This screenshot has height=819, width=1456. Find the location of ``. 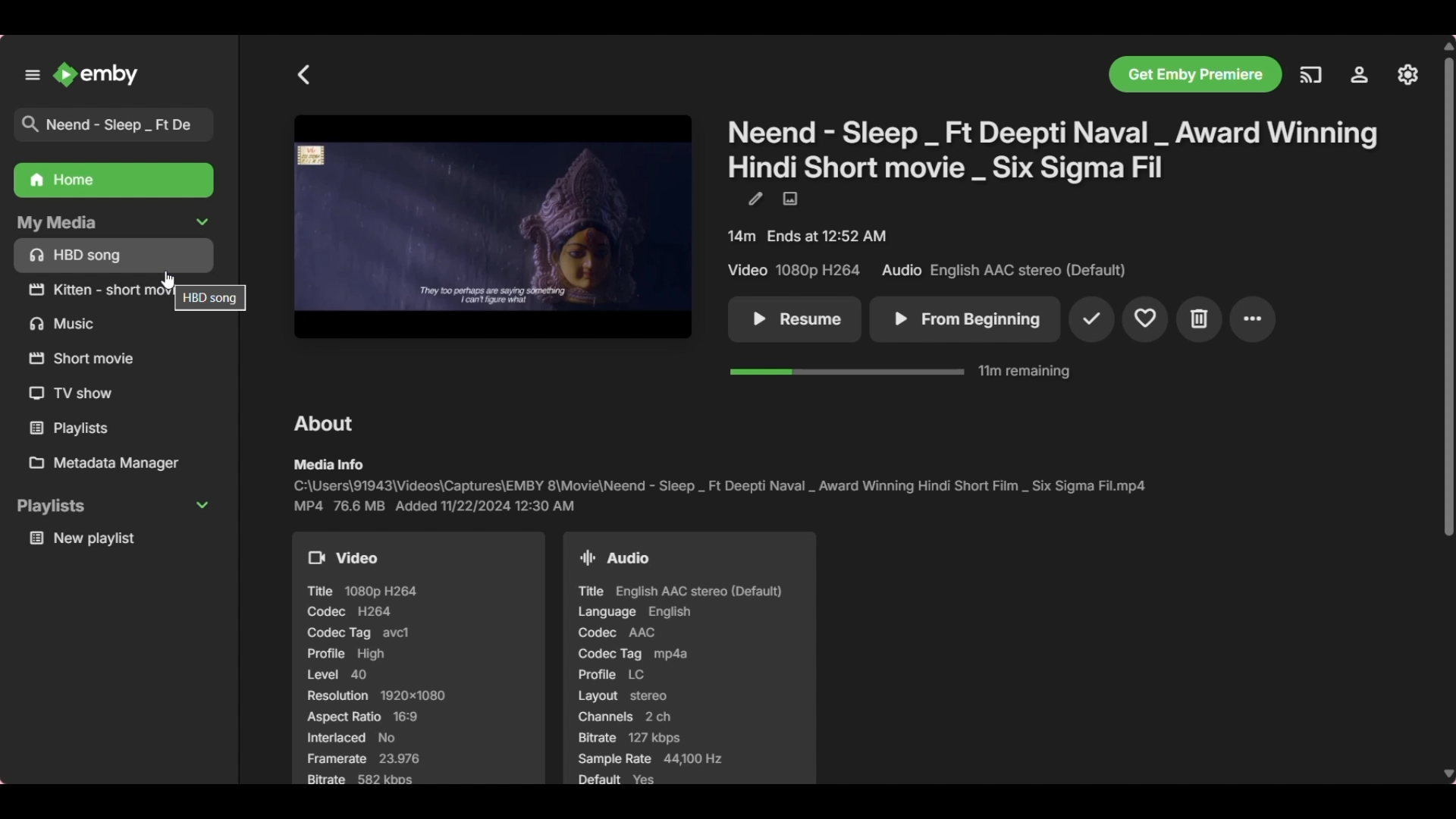

 is located at coordinates (96, 290).